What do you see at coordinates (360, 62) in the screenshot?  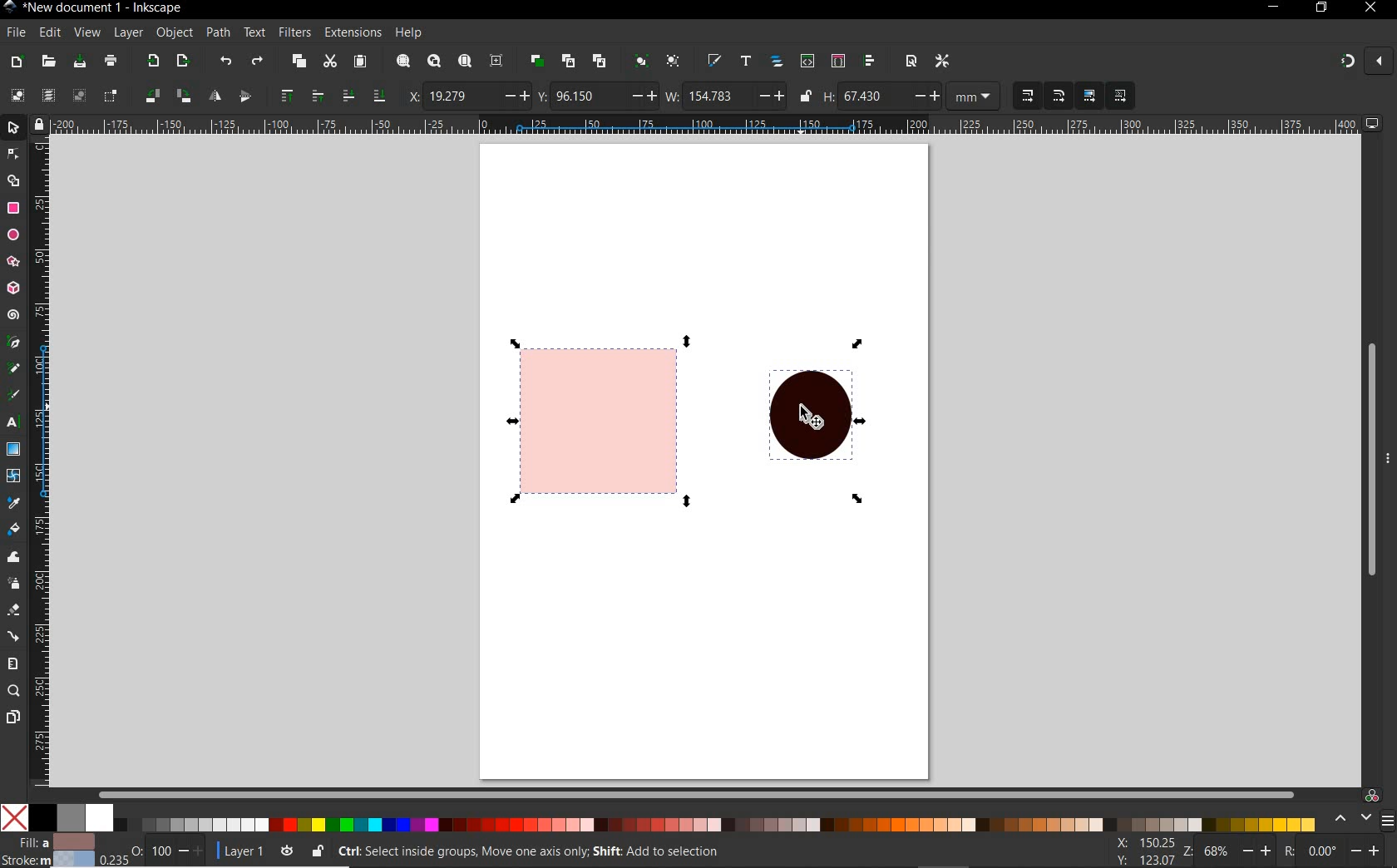 I see `paste` at bounding box center [360, 62].